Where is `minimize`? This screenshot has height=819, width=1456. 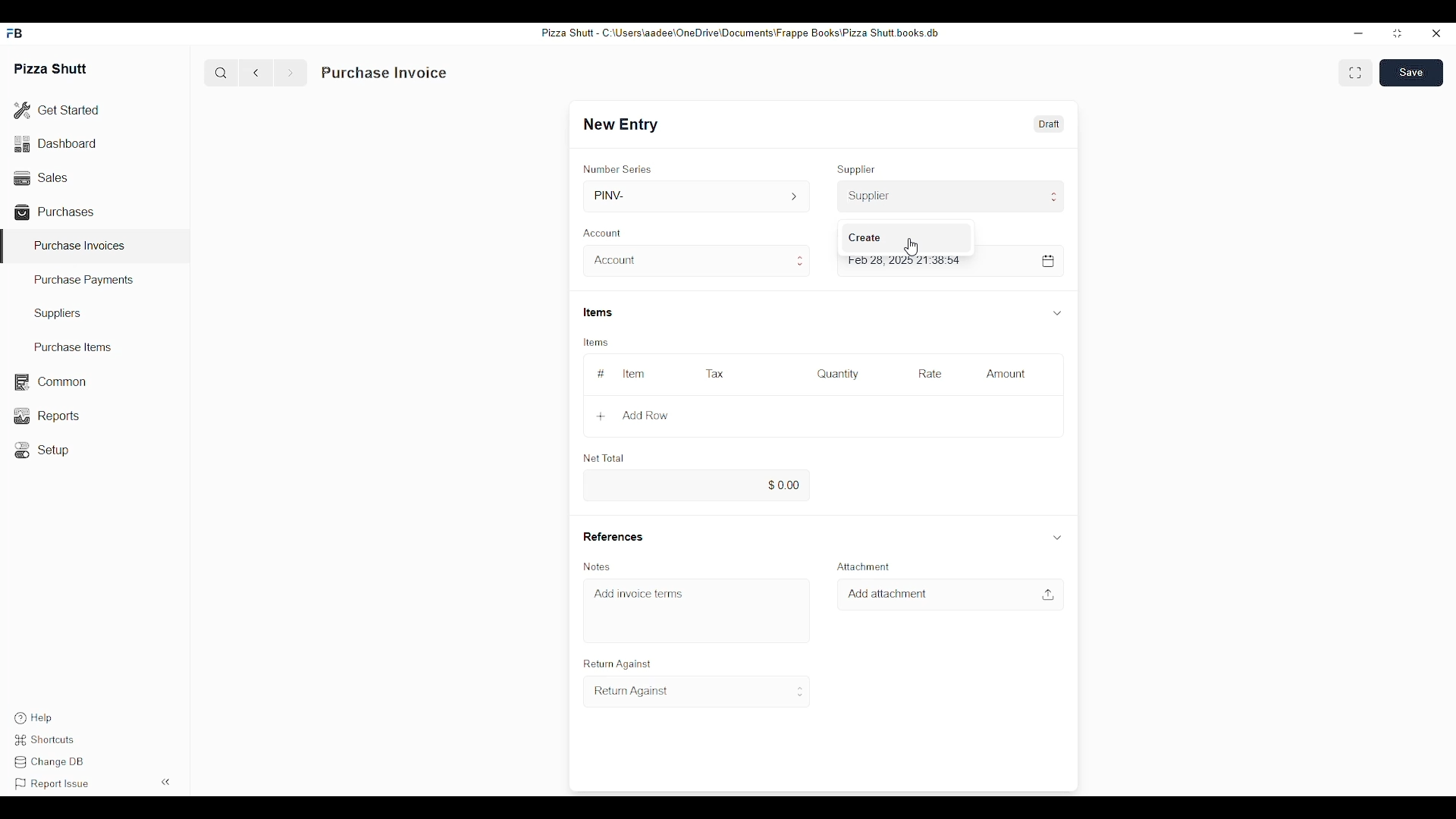
minimize is located at coordinates (1358, 33).